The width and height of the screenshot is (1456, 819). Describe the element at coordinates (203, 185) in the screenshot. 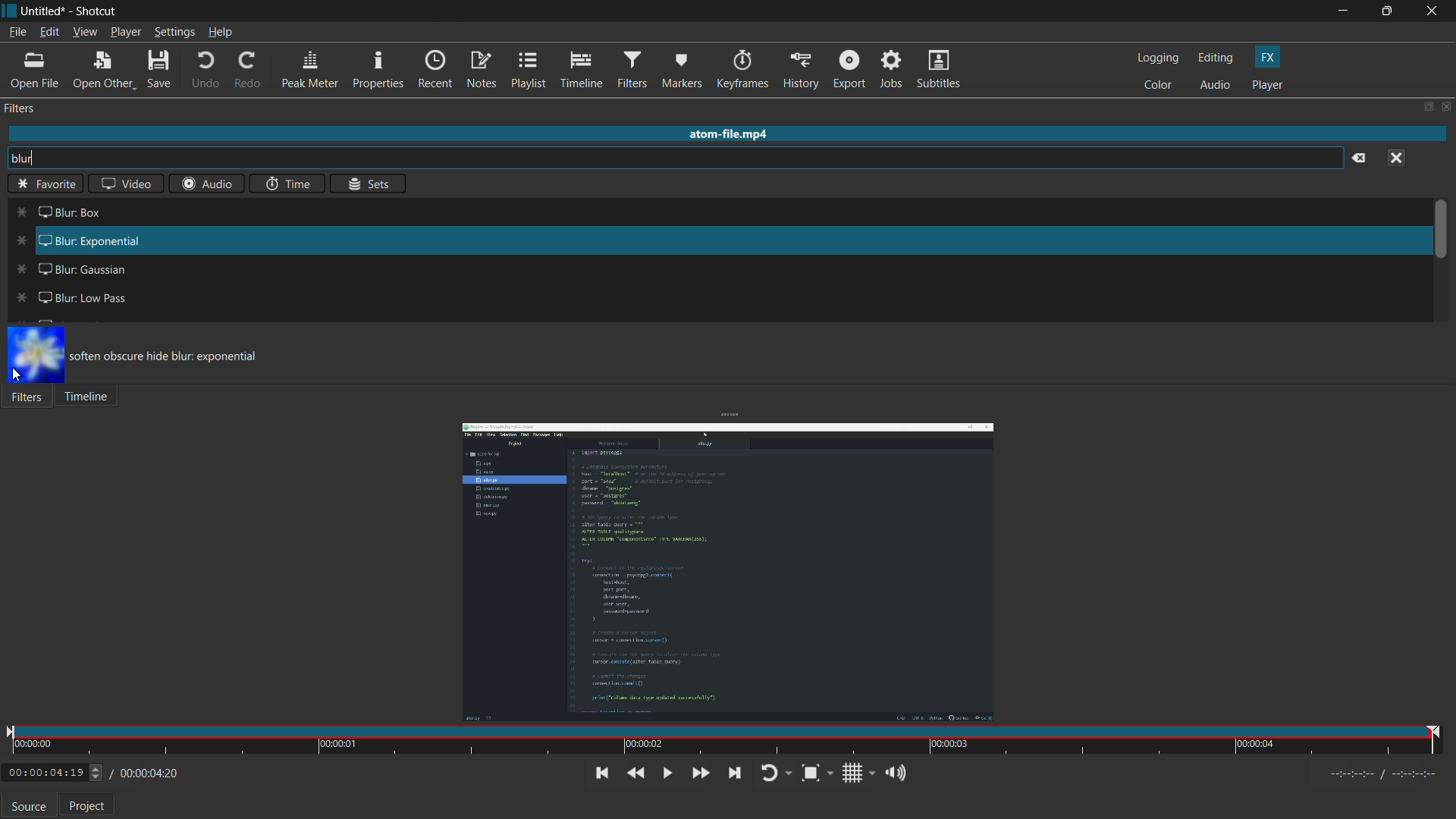

I see `Audio` at that location.